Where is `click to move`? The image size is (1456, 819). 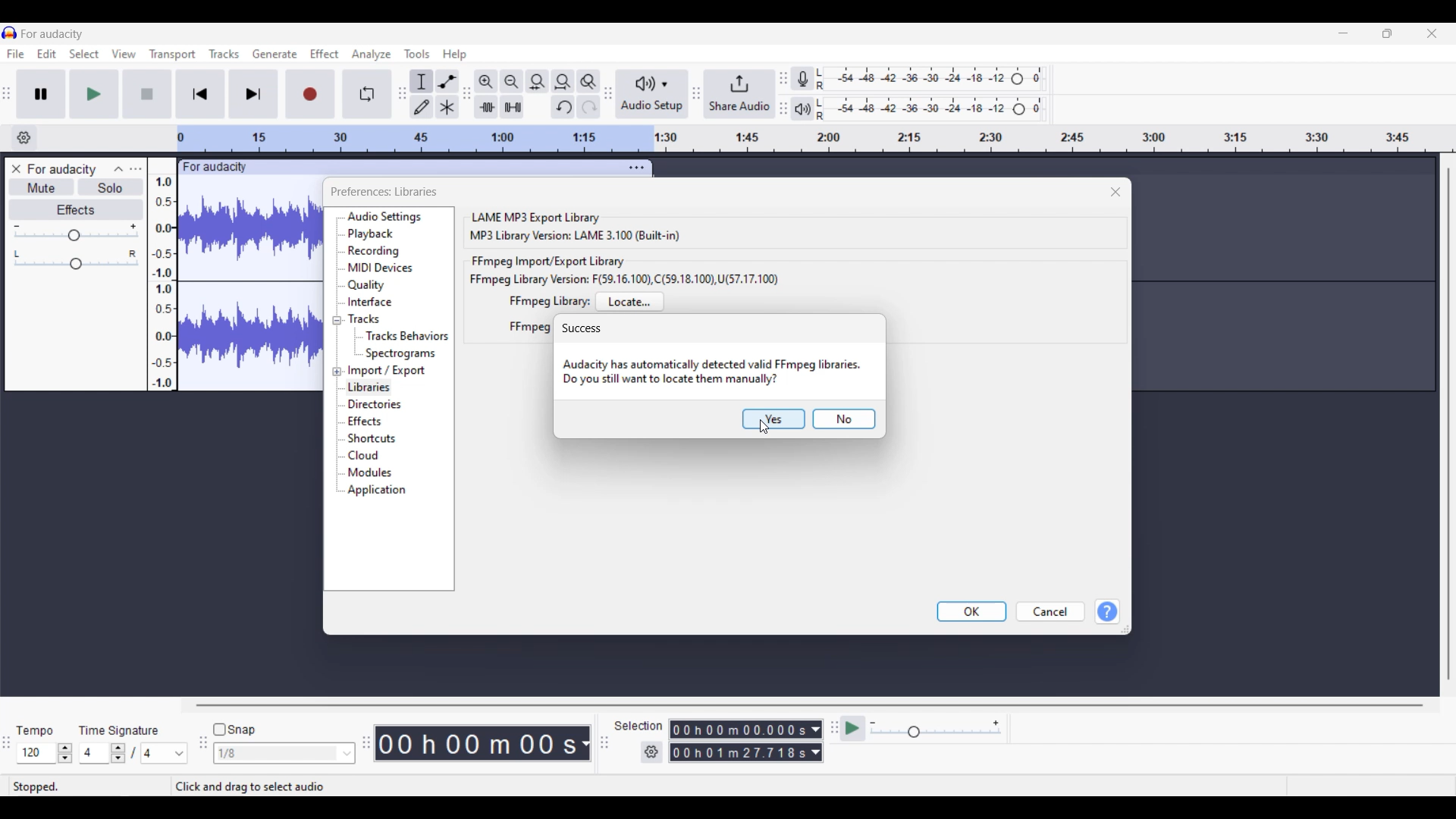
click to move is located at coordinates (438, 165).